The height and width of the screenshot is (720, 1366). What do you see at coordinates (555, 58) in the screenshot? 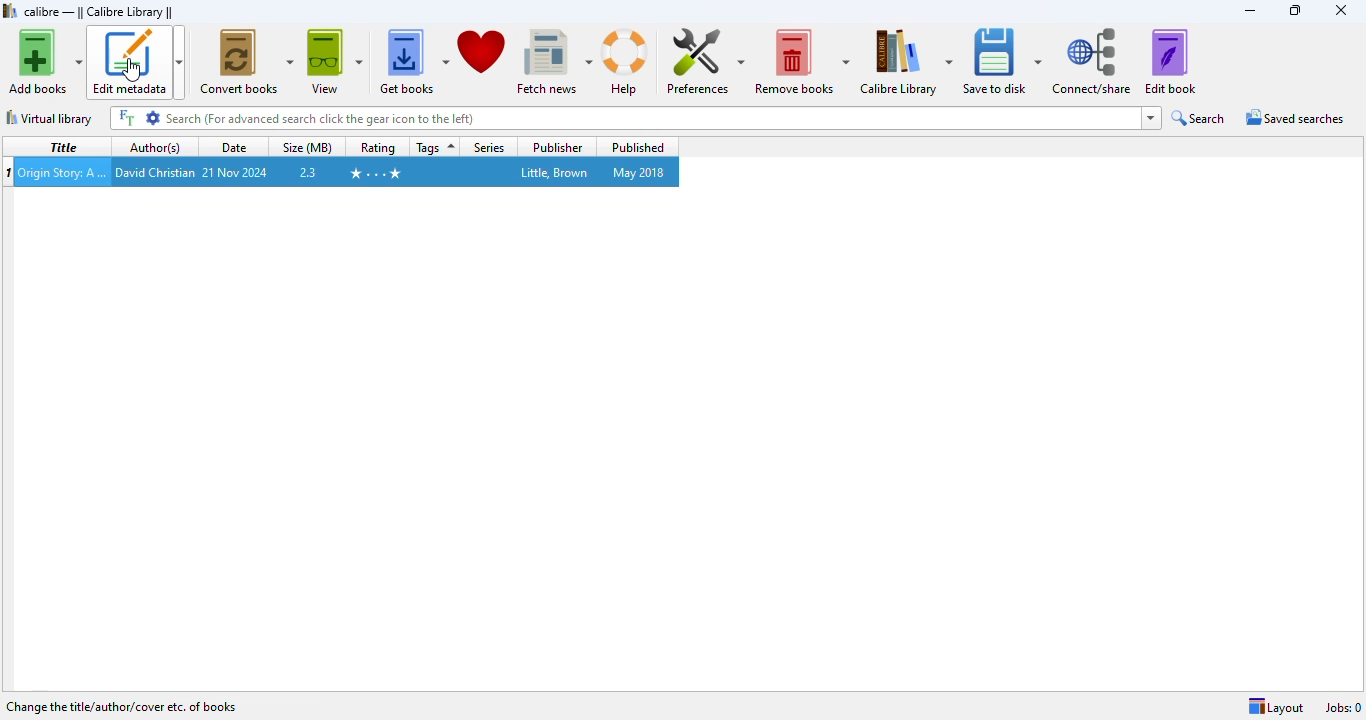
I see `fetch news` at bounding box center [555, 58].